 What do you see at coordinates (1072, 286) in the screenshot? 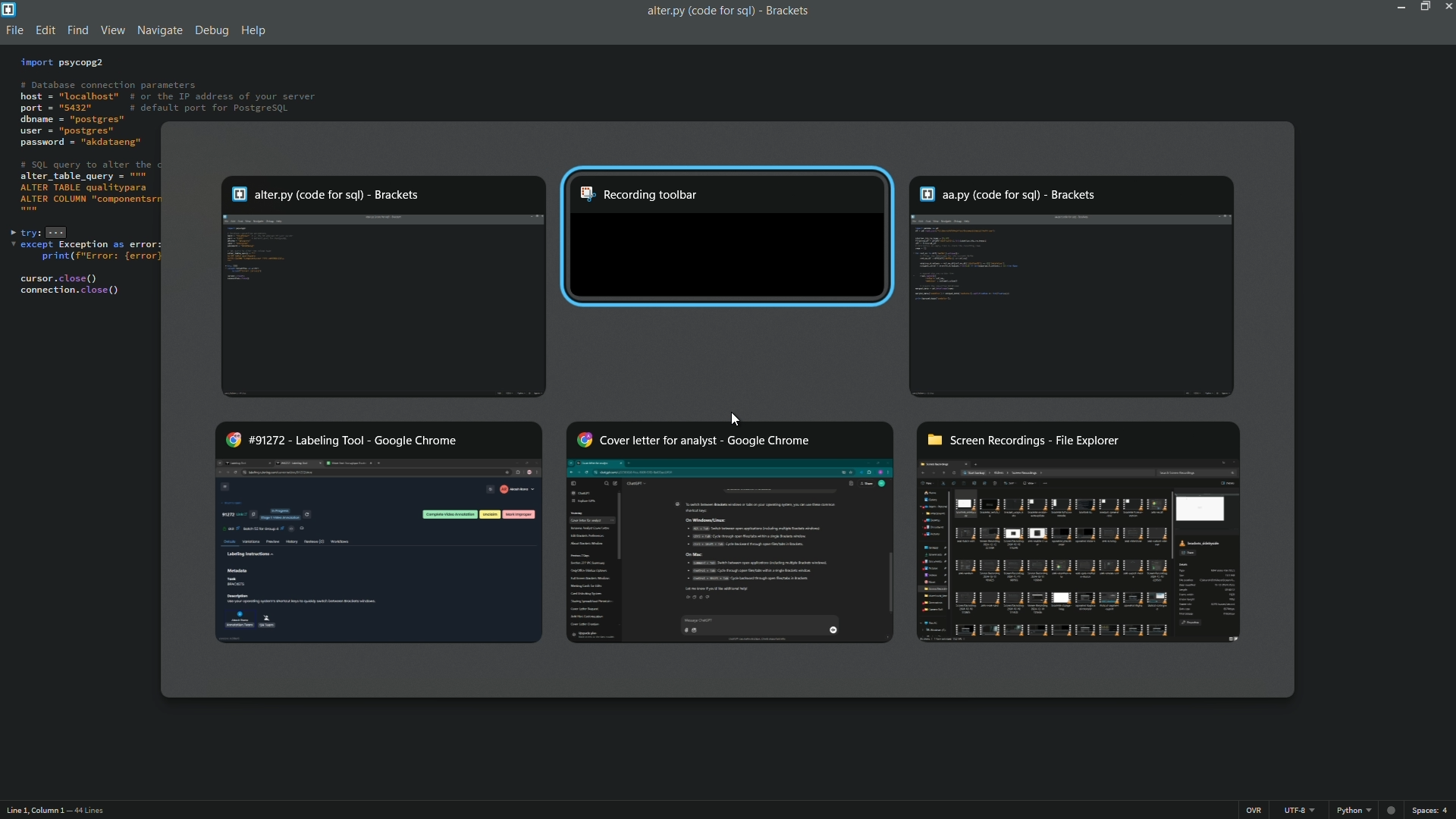
I see `aa.py (code for sqll) - Brackets winndow` at bounding box center [1072, 286].